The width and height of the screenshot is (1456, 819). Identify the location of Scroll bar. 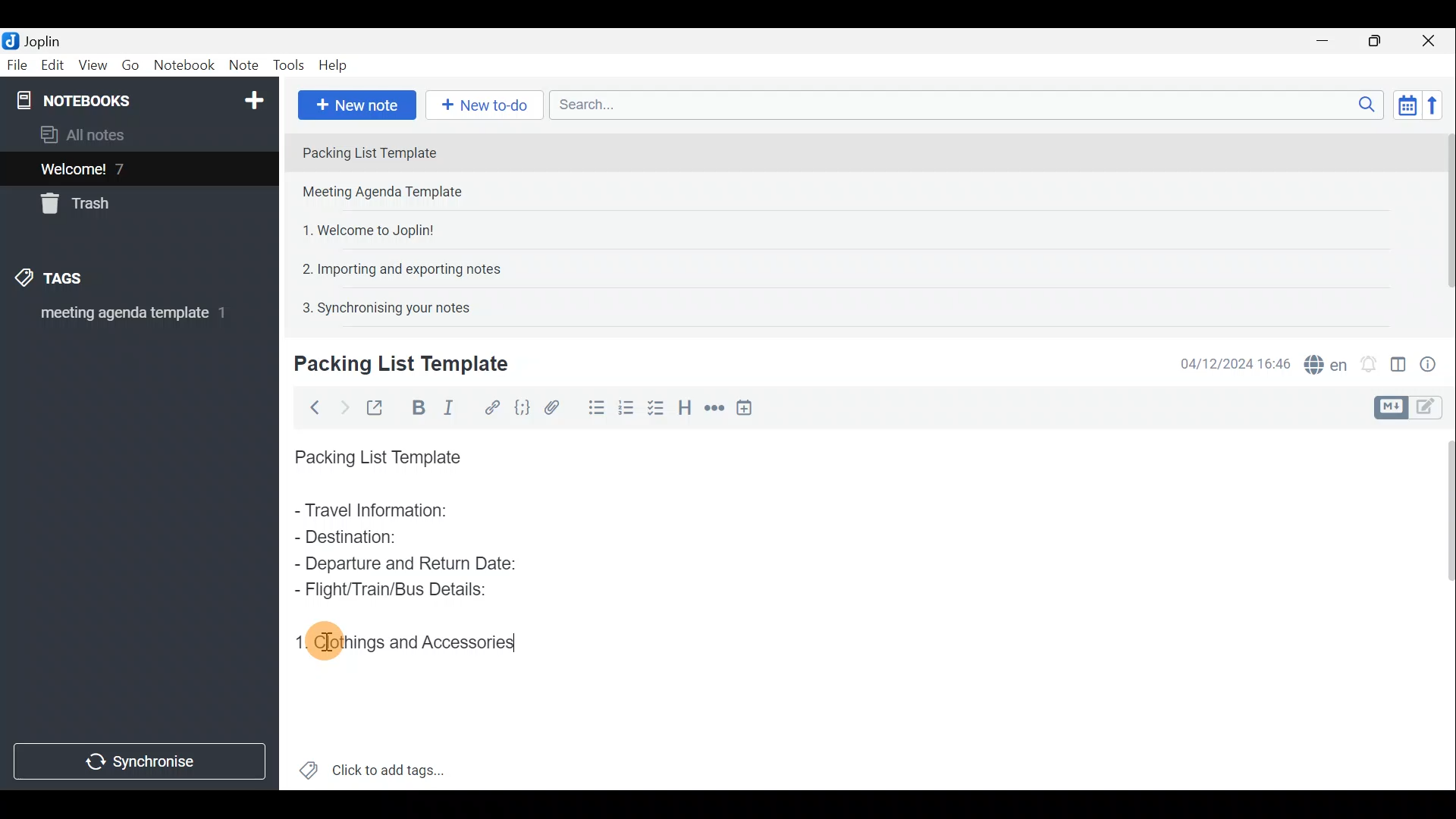
(1442, 221).